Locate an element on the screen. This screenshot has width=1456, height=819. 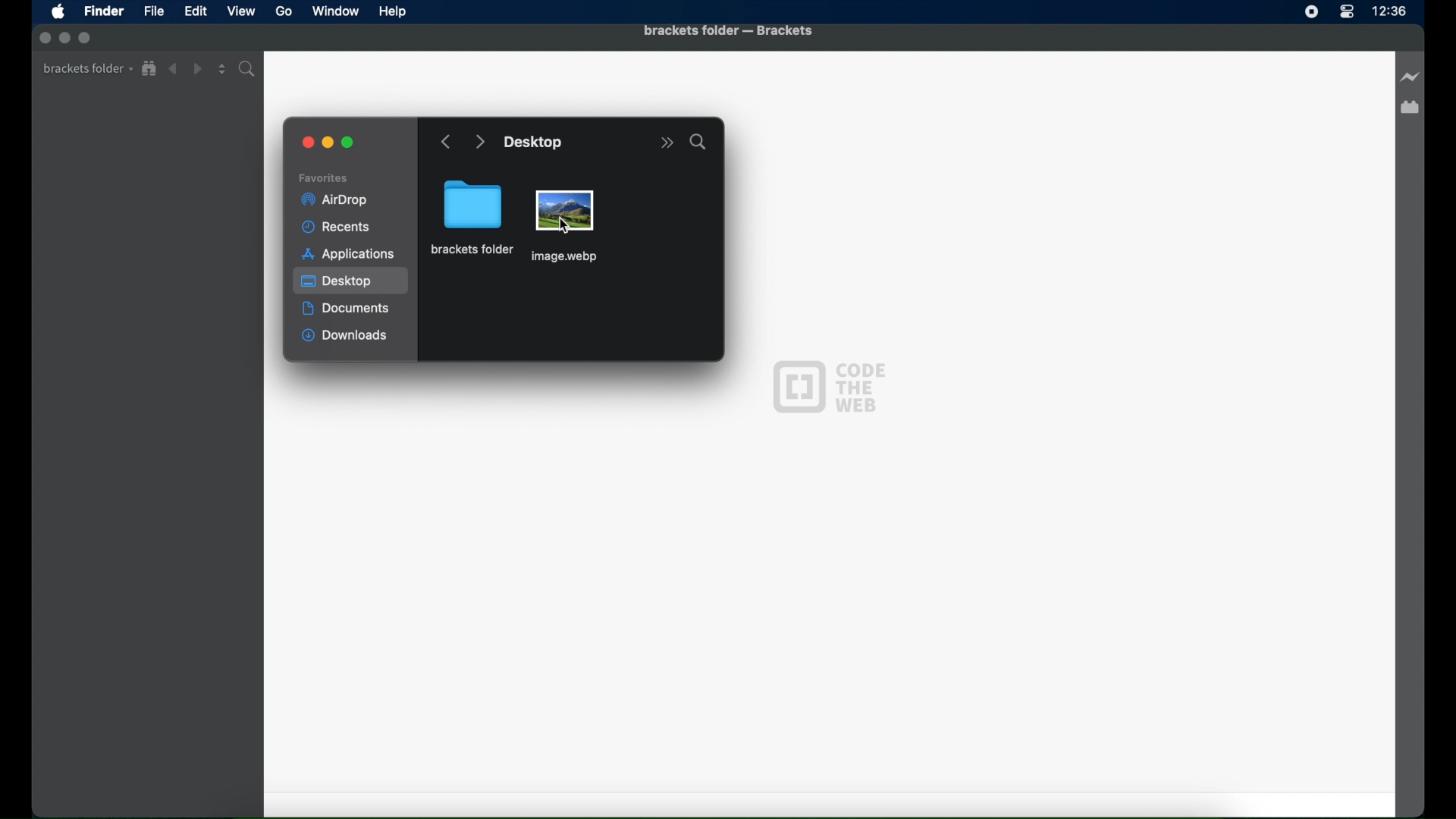
documents is located at coordinates (347, 309).